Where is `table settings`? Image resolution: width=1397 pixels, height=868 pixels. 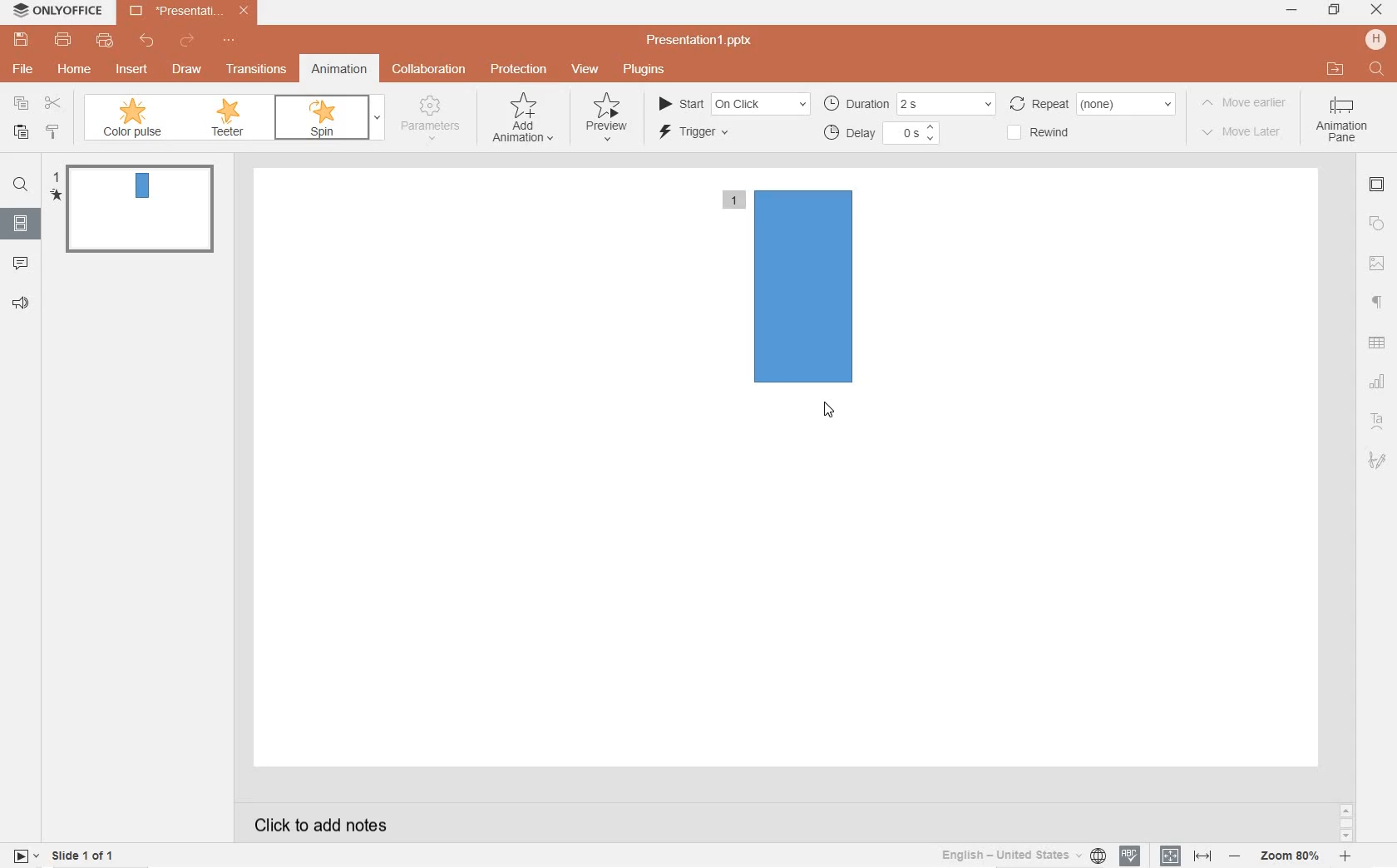
table settings is located at coordinates (1379, 343).